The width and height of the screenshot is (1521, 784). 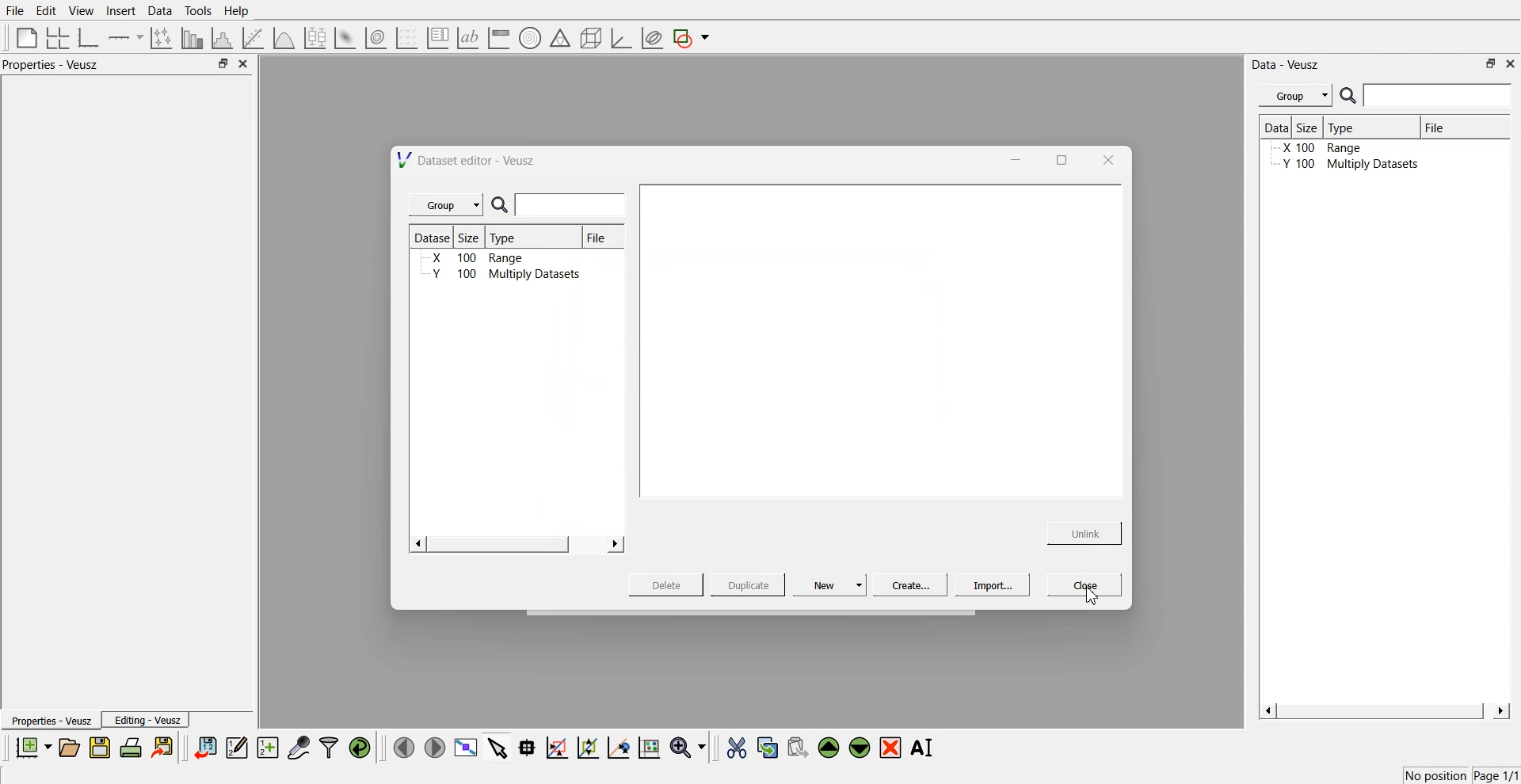 I want to click on Duplicate, so click(x=748, y=586).